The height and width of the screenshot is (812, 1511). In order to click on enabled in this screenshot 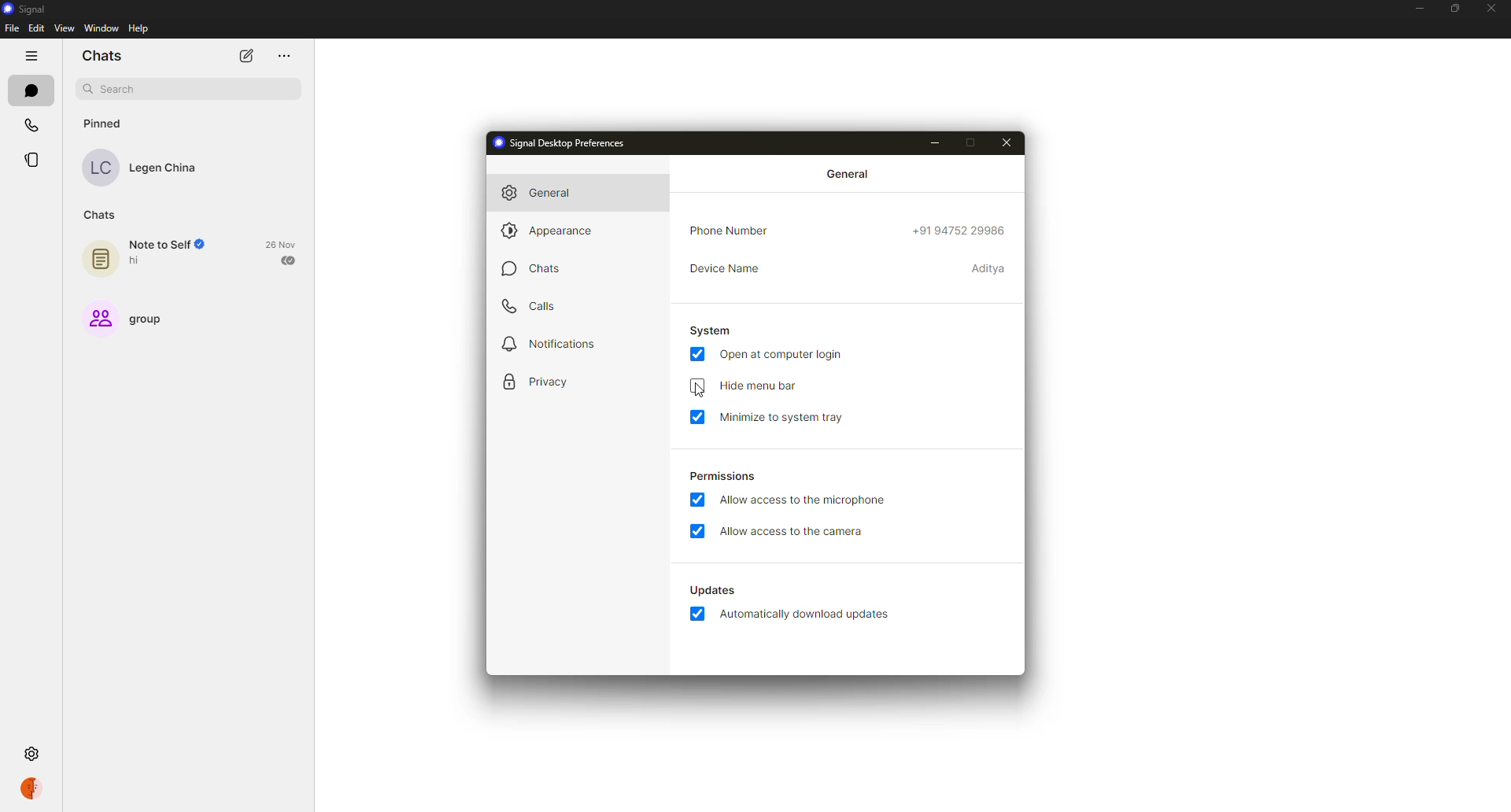, I will do `click(697, 416)`.